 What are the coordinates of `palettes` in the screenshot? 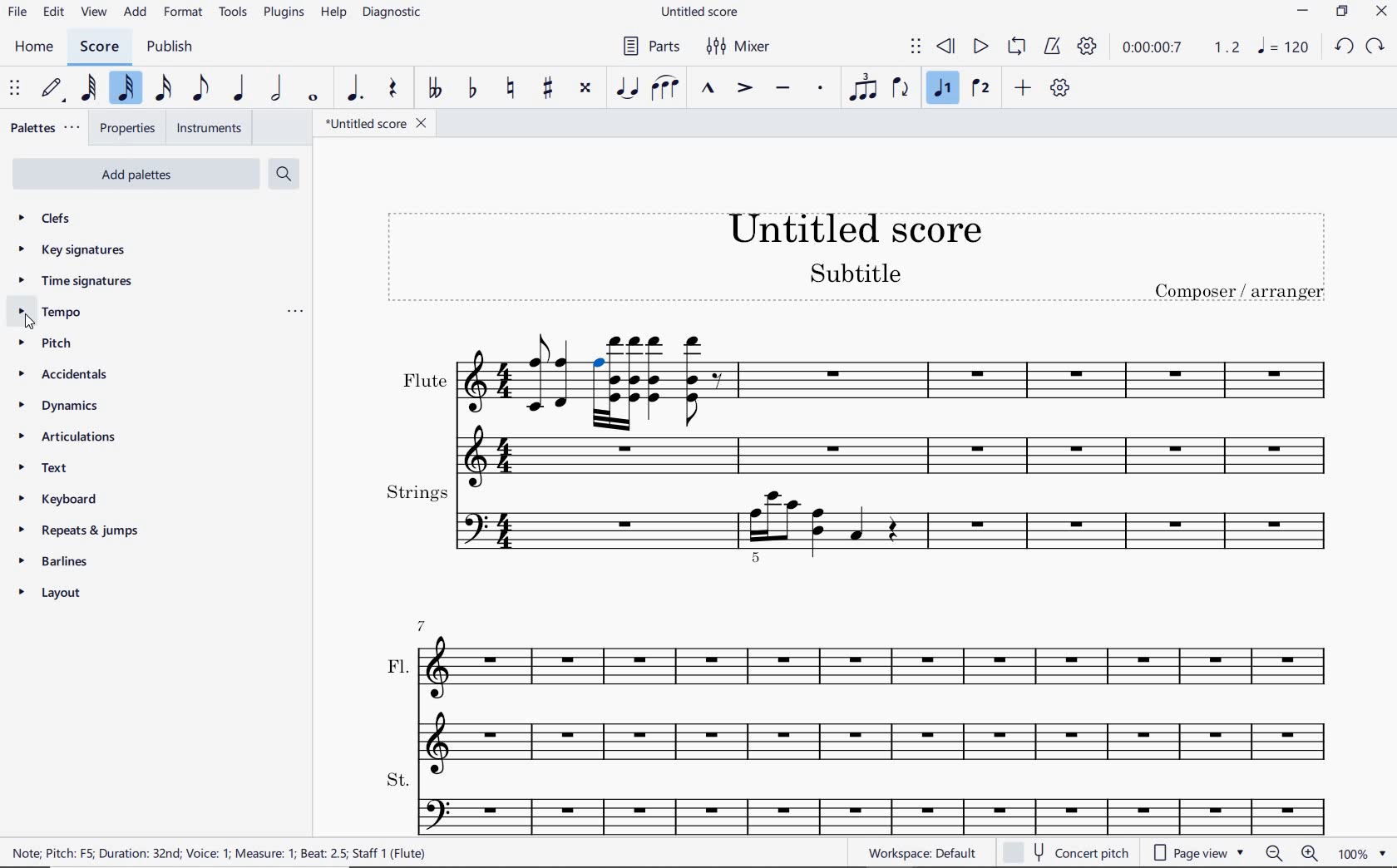 It's located at (44, 128).